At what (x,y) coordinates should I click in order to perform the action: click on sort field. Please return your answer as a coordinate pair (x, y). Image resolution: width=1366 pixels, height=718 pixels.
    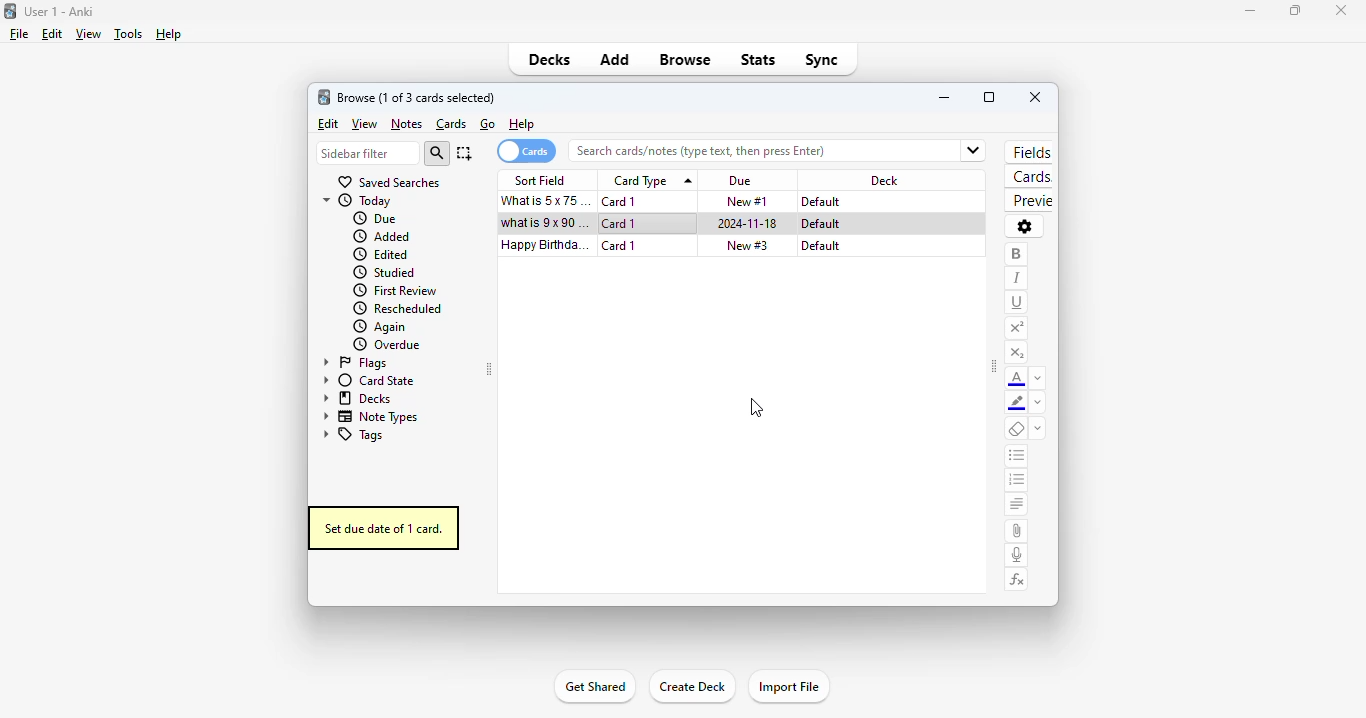
    Looking at the image, I should click on (543, 180).